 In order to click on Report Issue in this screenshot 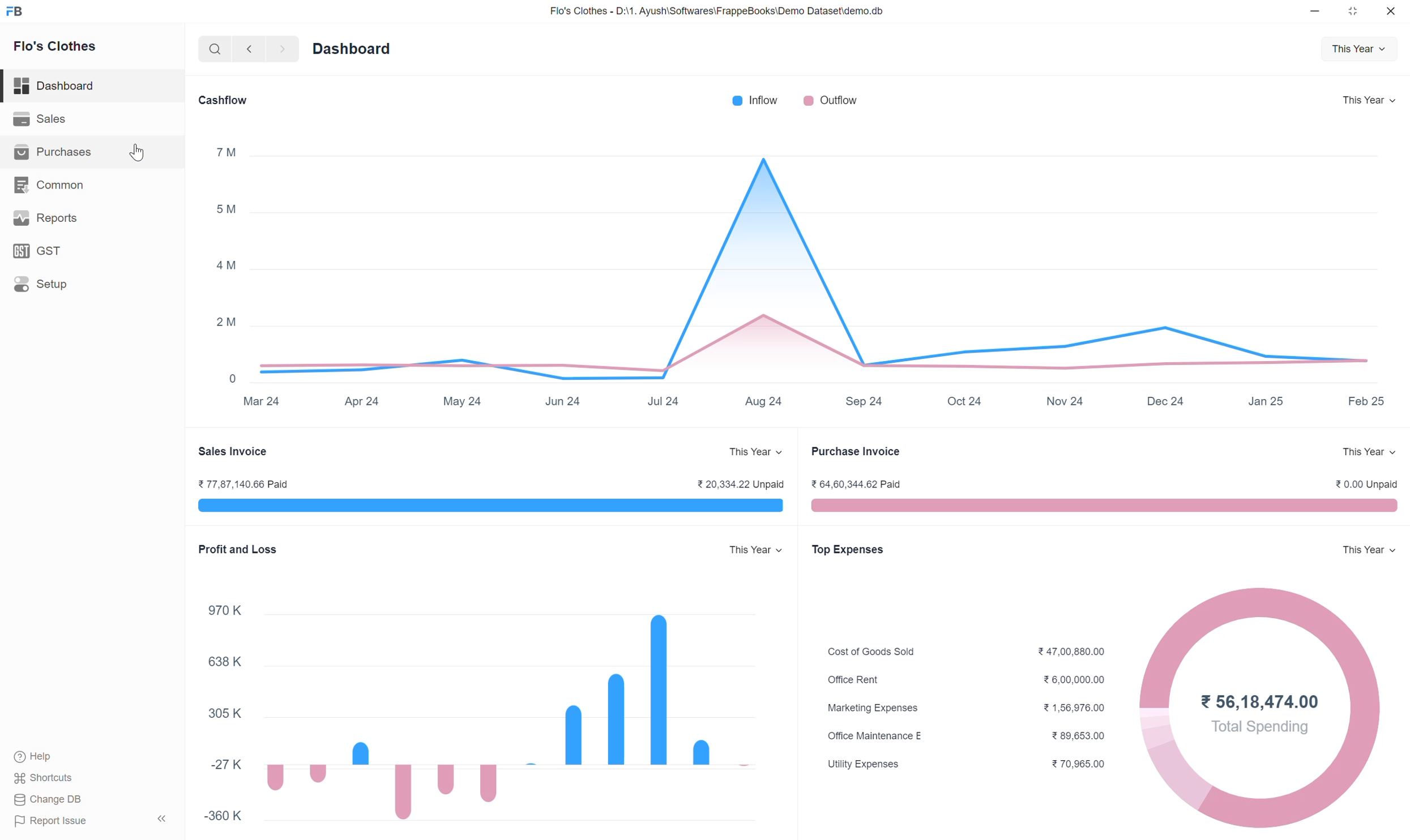, I will do `click(53, 821)`.